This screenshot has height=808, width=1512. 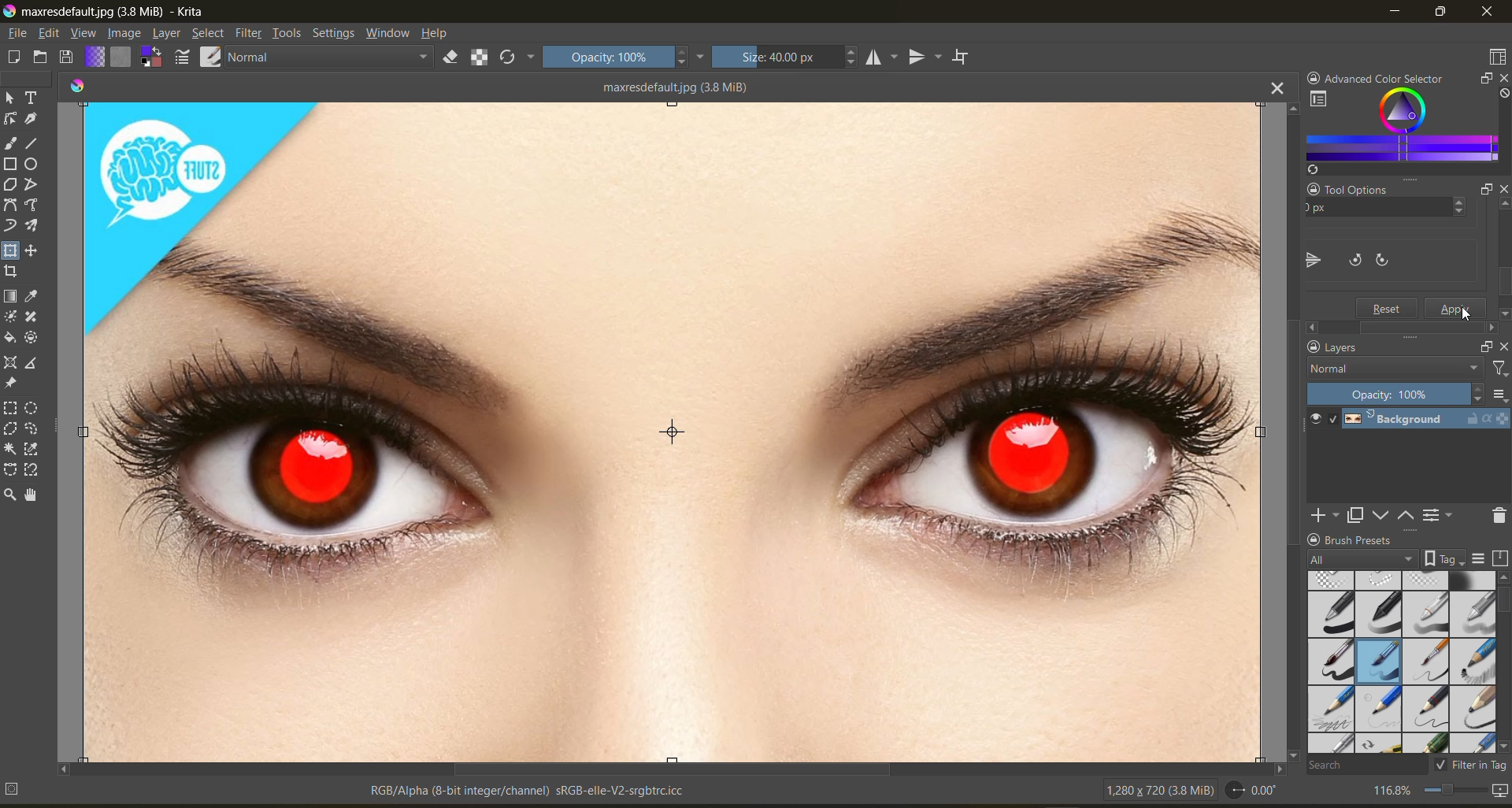 What do you see at coordinates (209, 35) in the screenshot?
I see `select` at bounding box center [209, 35].